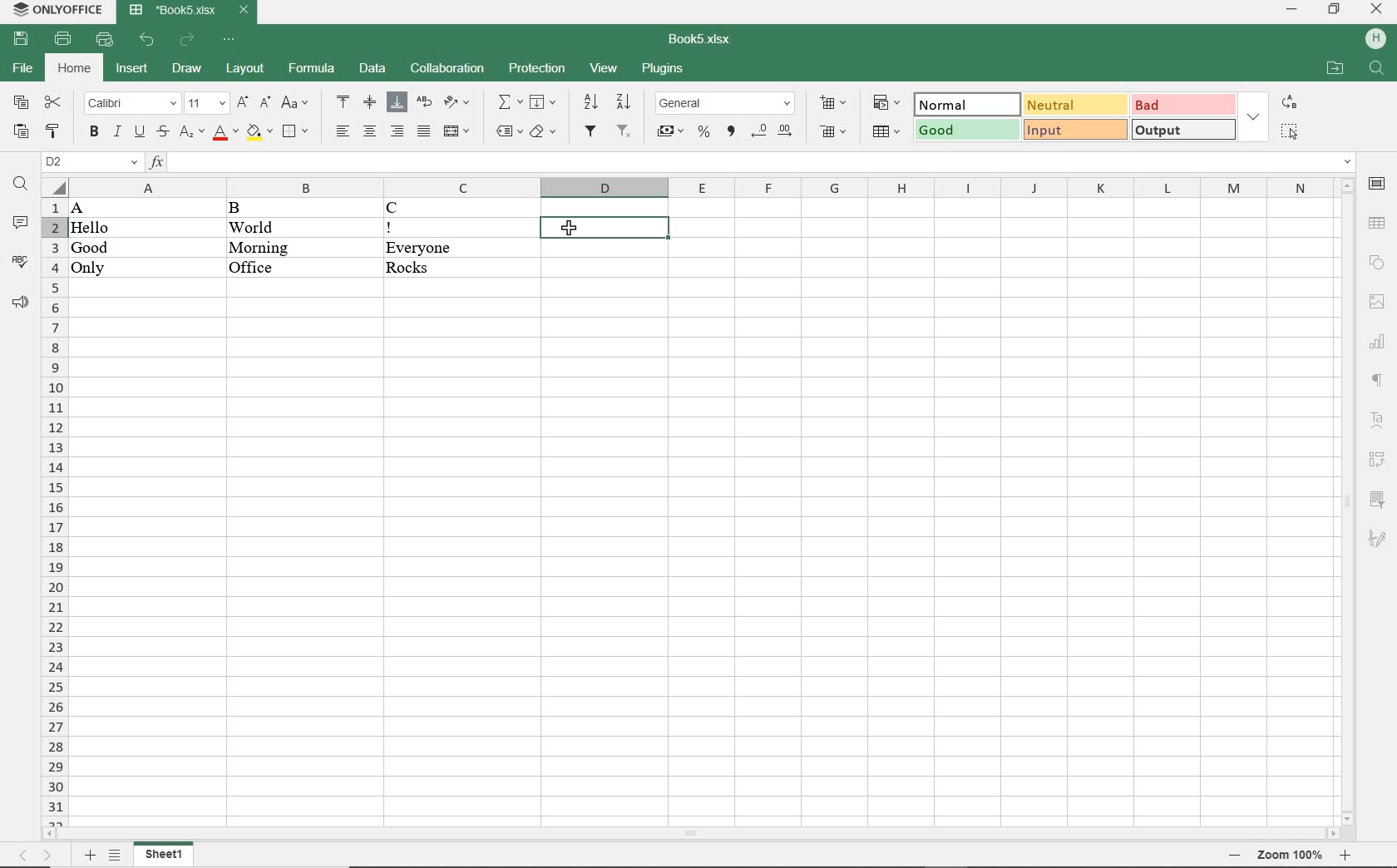  Describe the element at coordinates (398, 132) in the screenshot. I see `ALIGN RIGHT` at that location.